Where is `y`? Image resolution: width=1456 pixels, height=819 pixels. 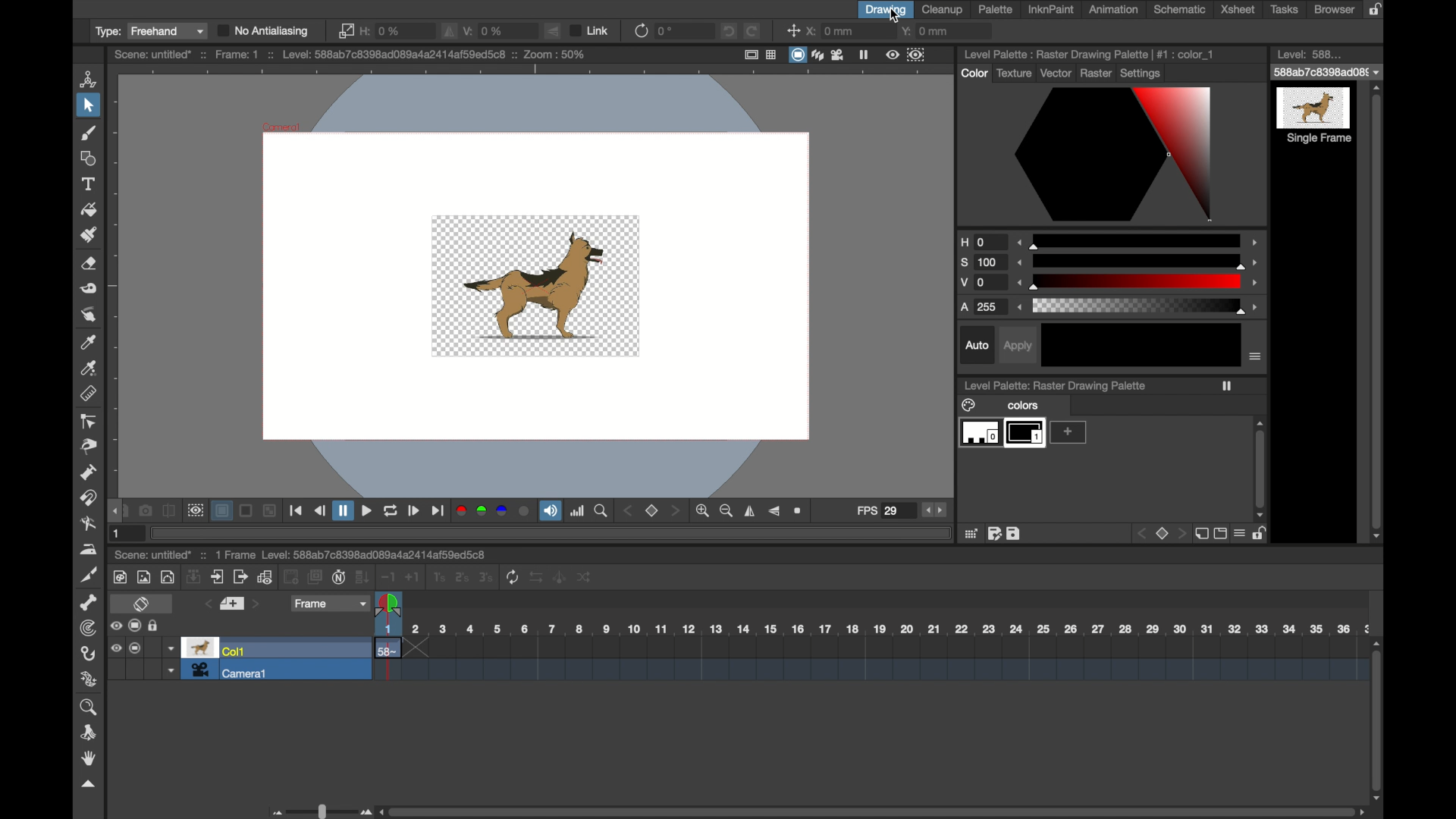
y is located at coordinates (924, 30).